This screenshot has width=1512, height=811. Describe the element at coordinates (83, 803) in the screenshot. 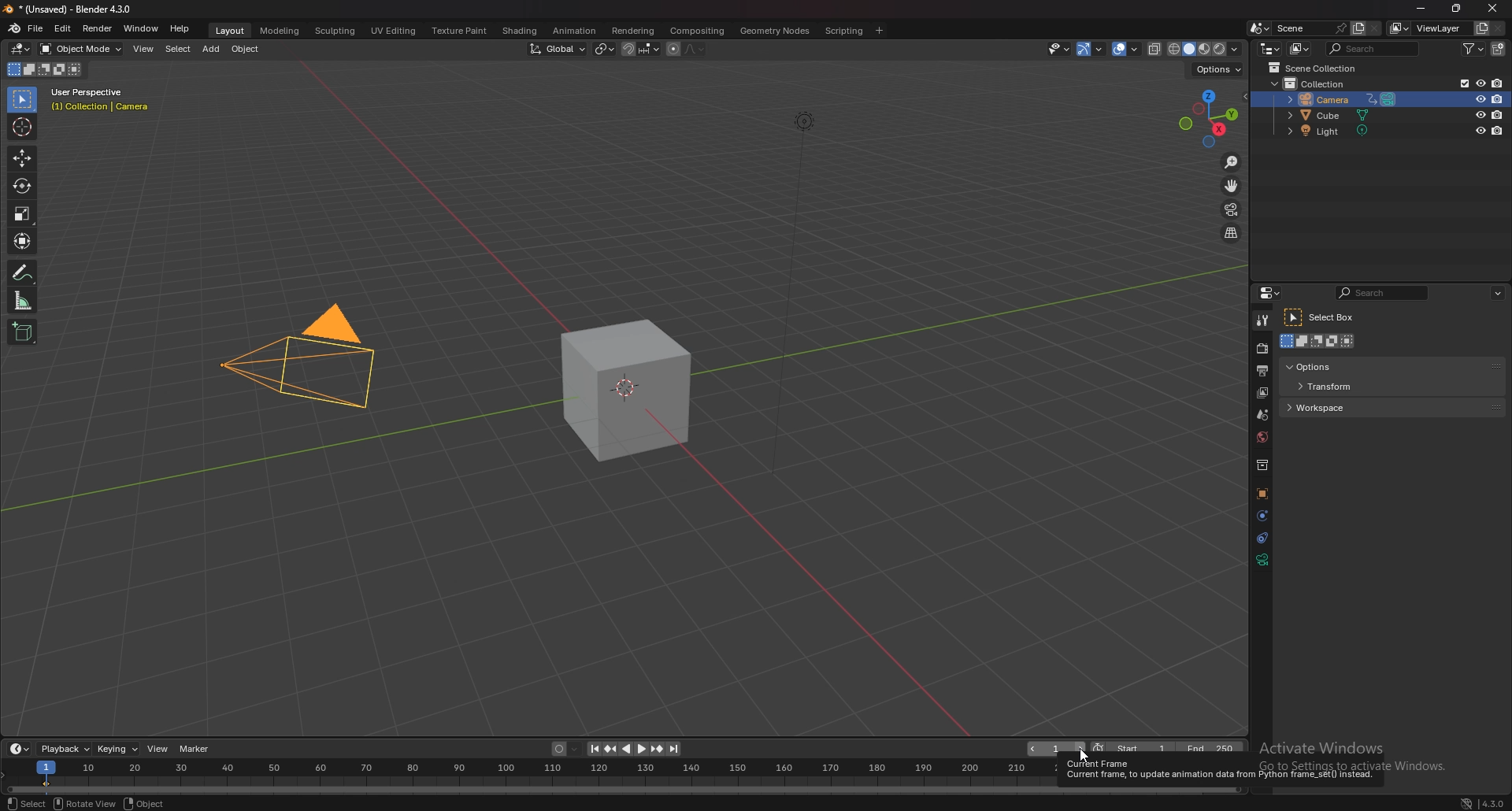

I see `Rotate View` at that location.